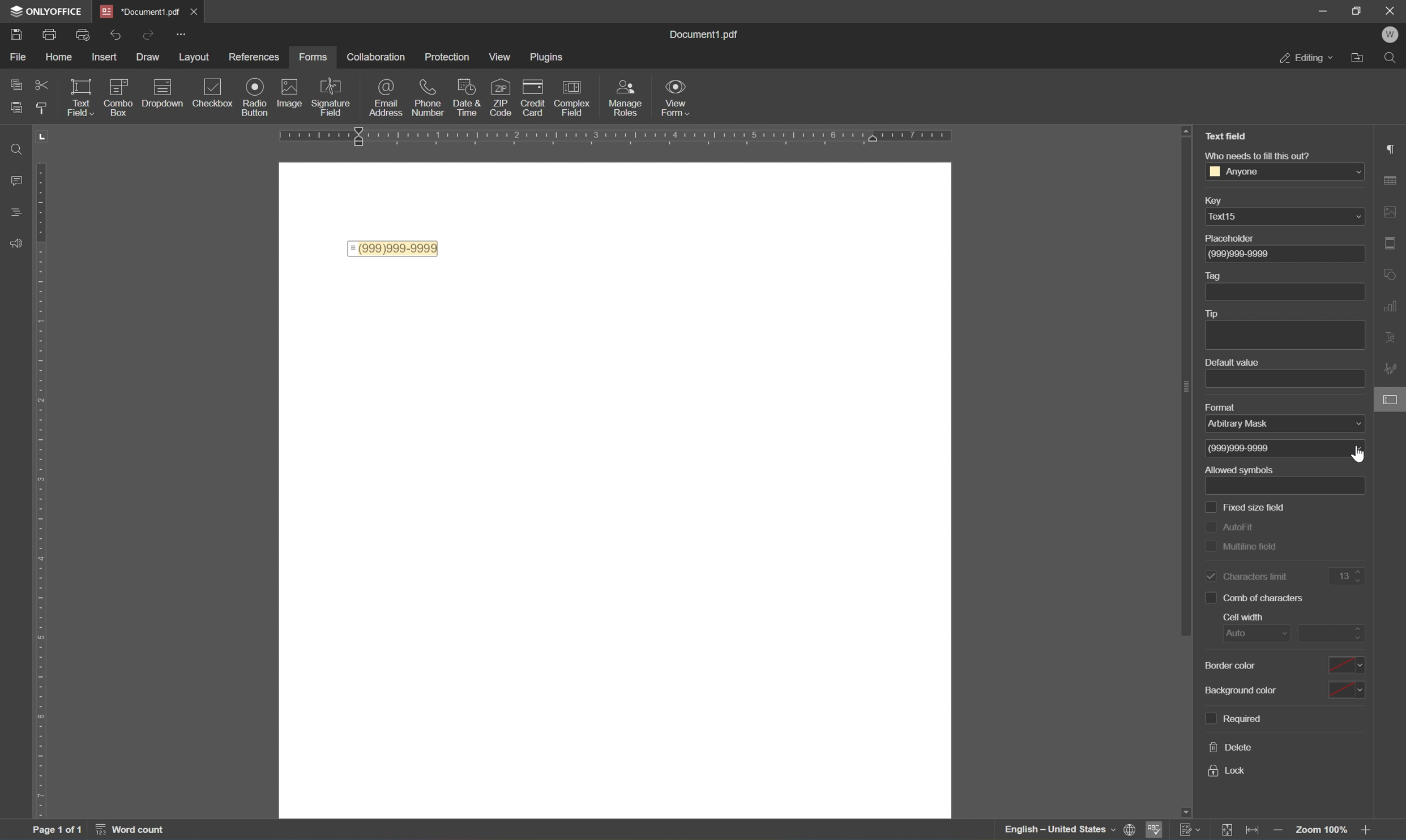  I want to click on editing, so click(1306, 58).